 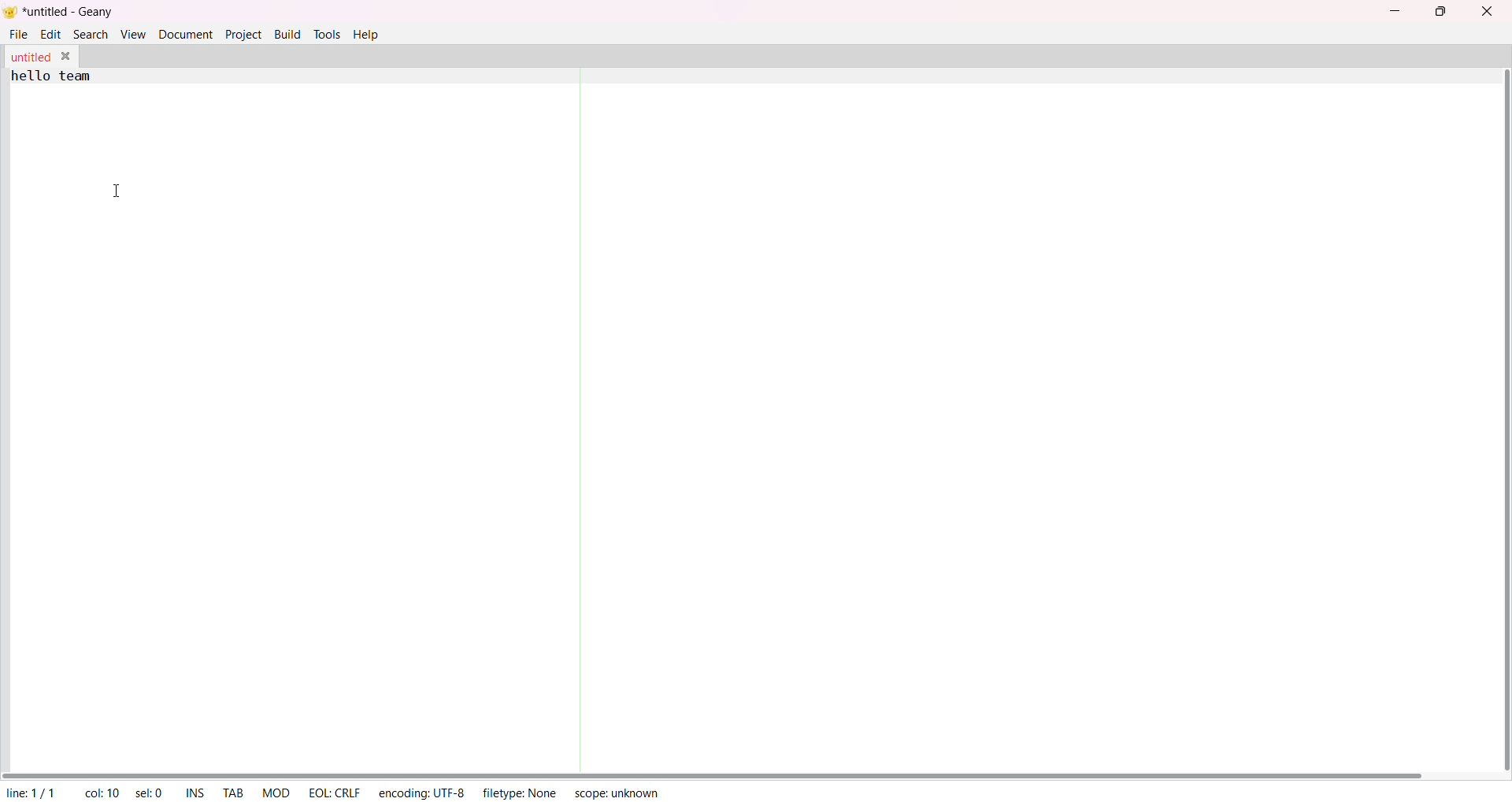 What do you see at coordinates (133, 35) in the screenshot?
I see `view` at bounding box center [133, 35].